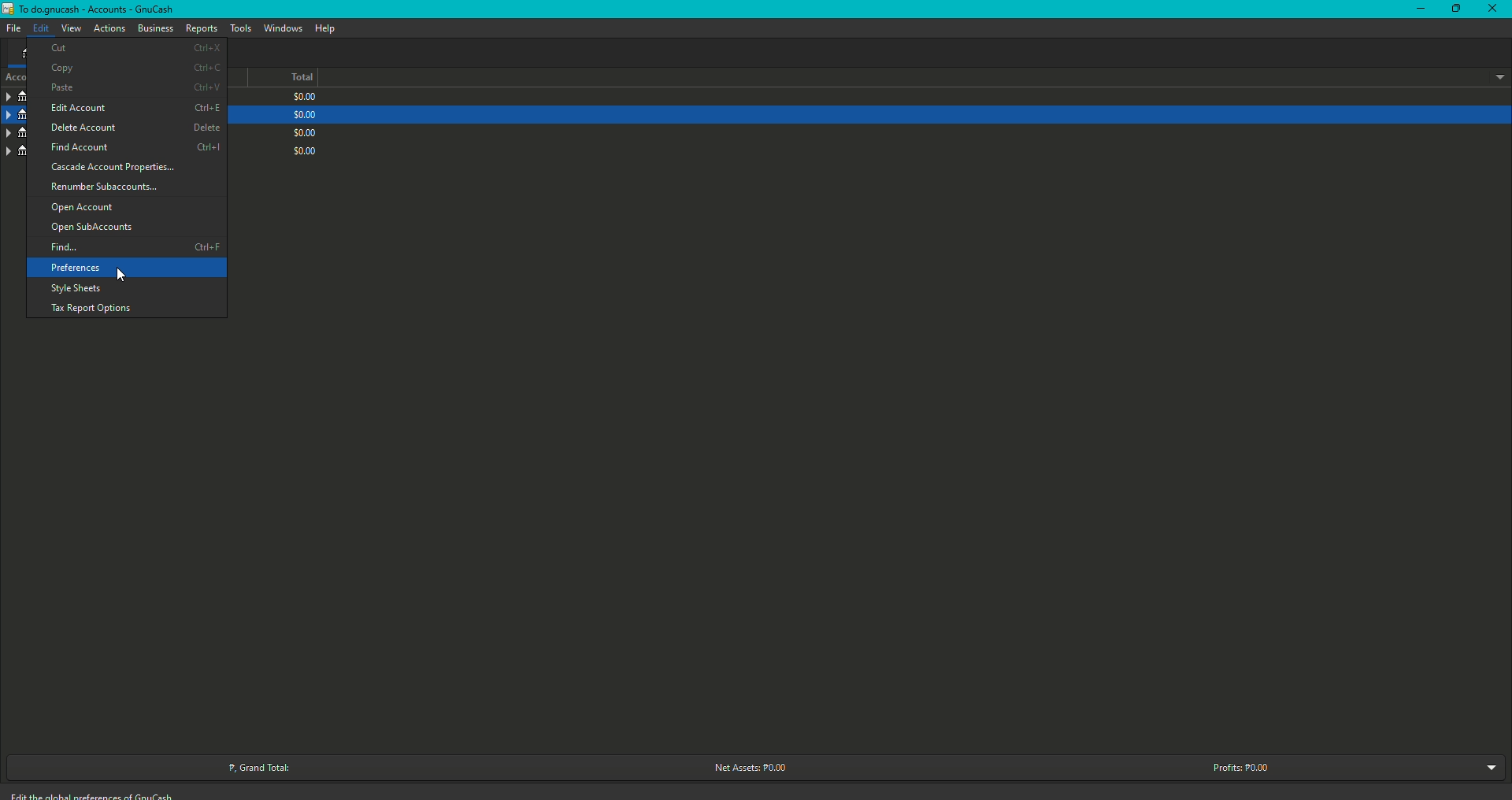  What do you see at coordinates (1493, 8) in the screenshot?
I see `Close` at bounding box center [1493, 8].